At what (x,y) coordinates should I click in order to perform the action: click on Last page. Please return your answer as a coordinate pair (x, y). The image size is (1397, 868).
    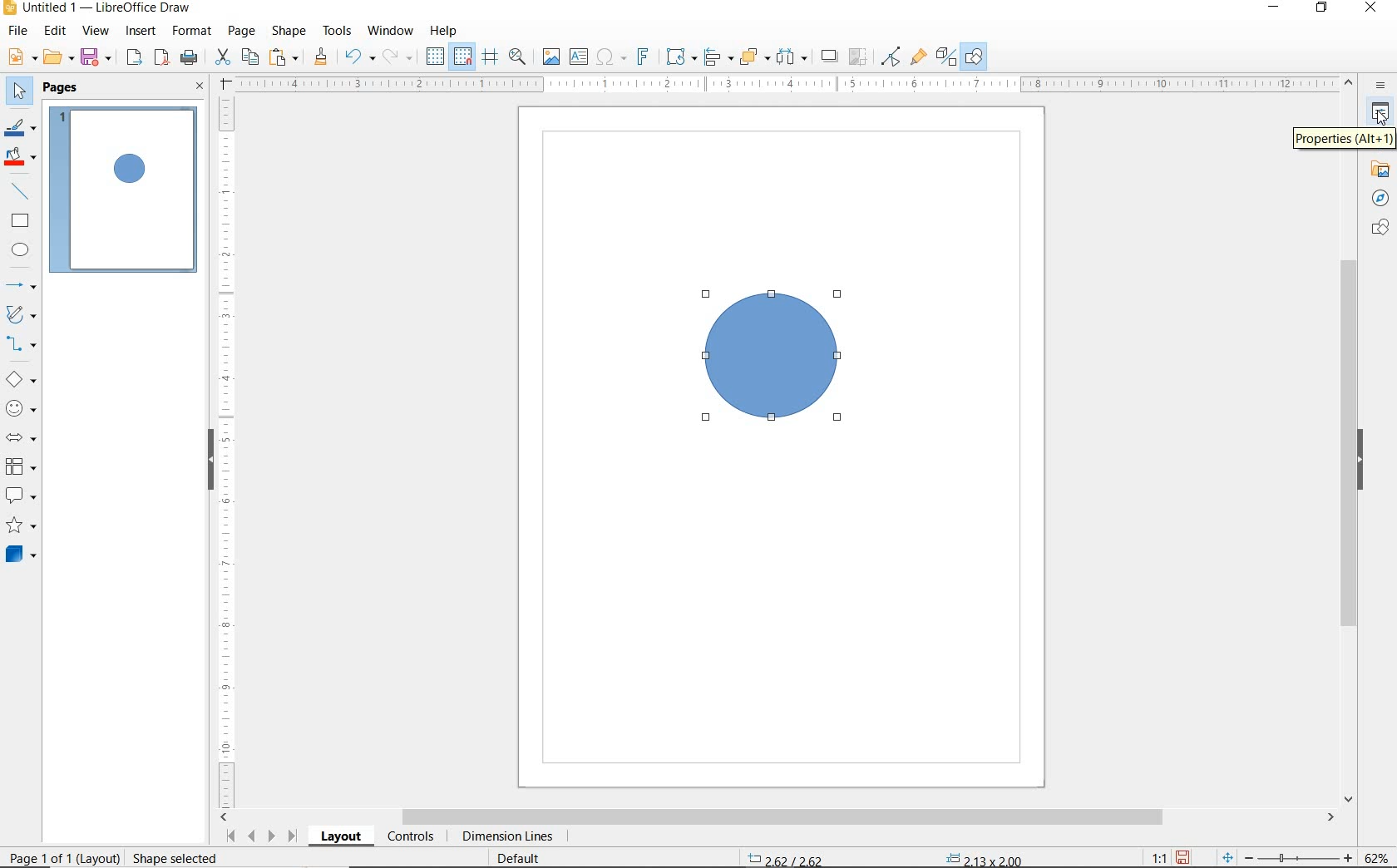
    Looking at the image, I should click on (292, 837).